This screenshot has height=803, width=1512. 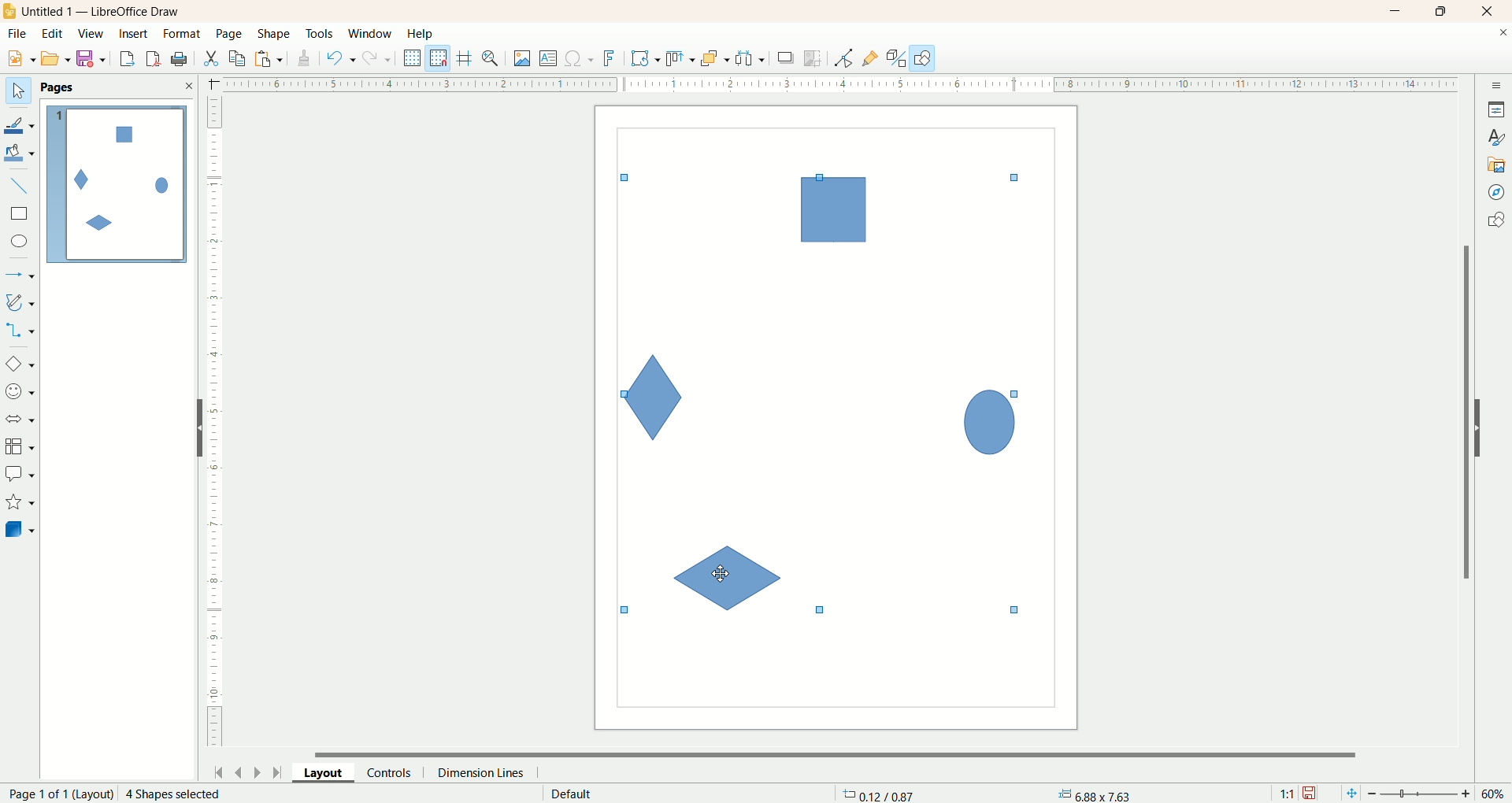 What do you see at coordinates (56, 58) in the screenshot?
I see `open` at bounding box center [56, 58].